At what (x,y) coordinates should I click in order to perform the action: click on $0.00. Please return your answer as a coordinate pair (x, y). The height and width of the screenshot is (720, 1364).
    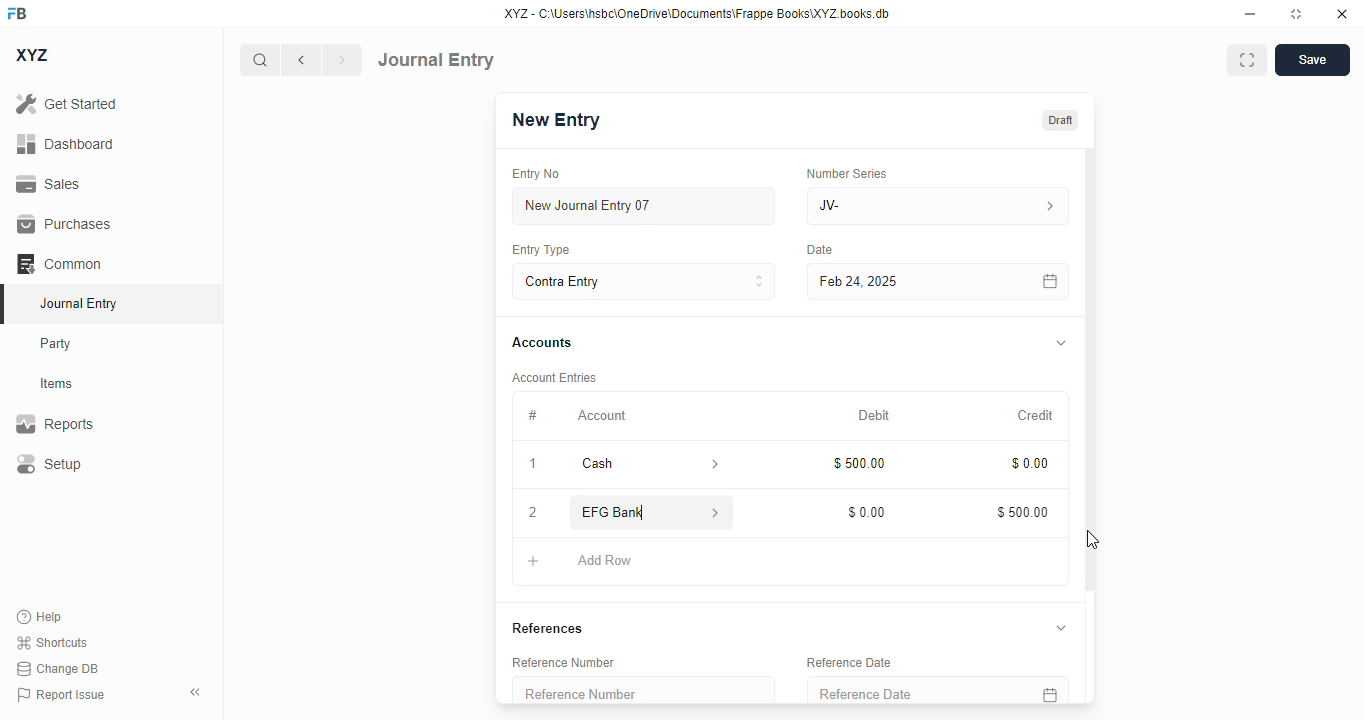
    Looking at the image, I should click on (868, 512).